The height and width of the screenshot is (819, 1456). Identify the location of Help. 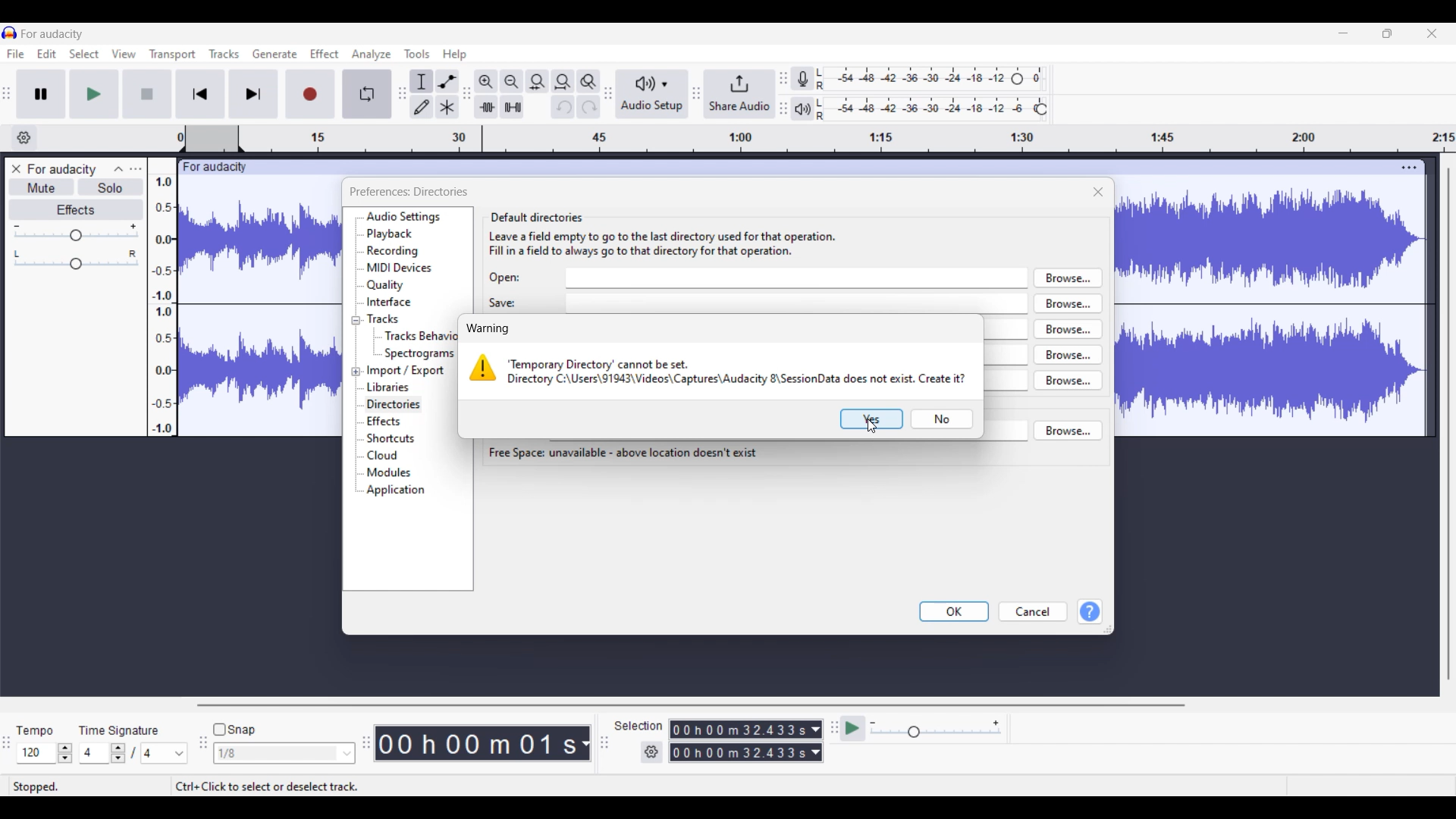
(1090, 611).